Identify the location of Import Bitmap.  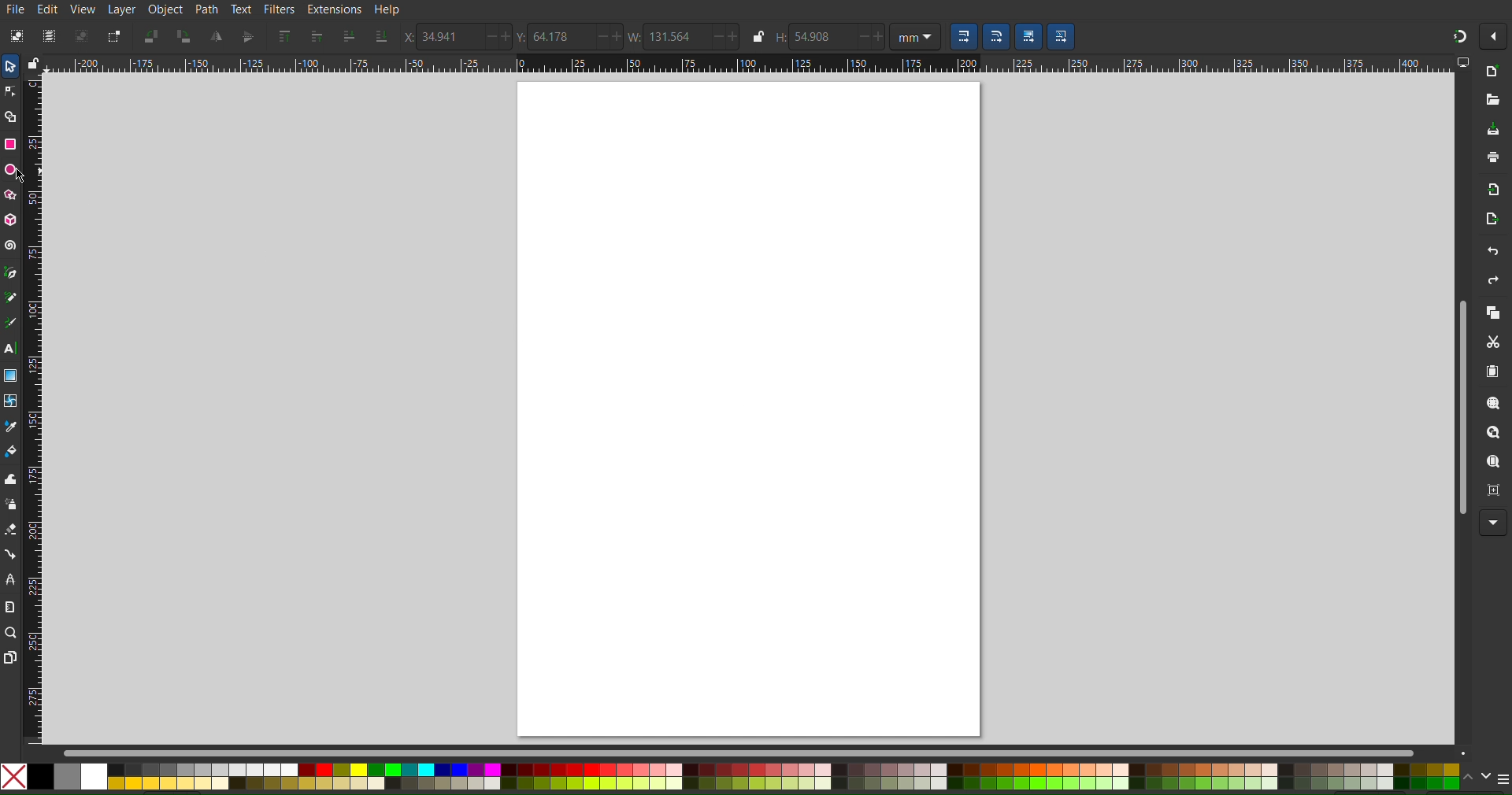
(1492, 190).